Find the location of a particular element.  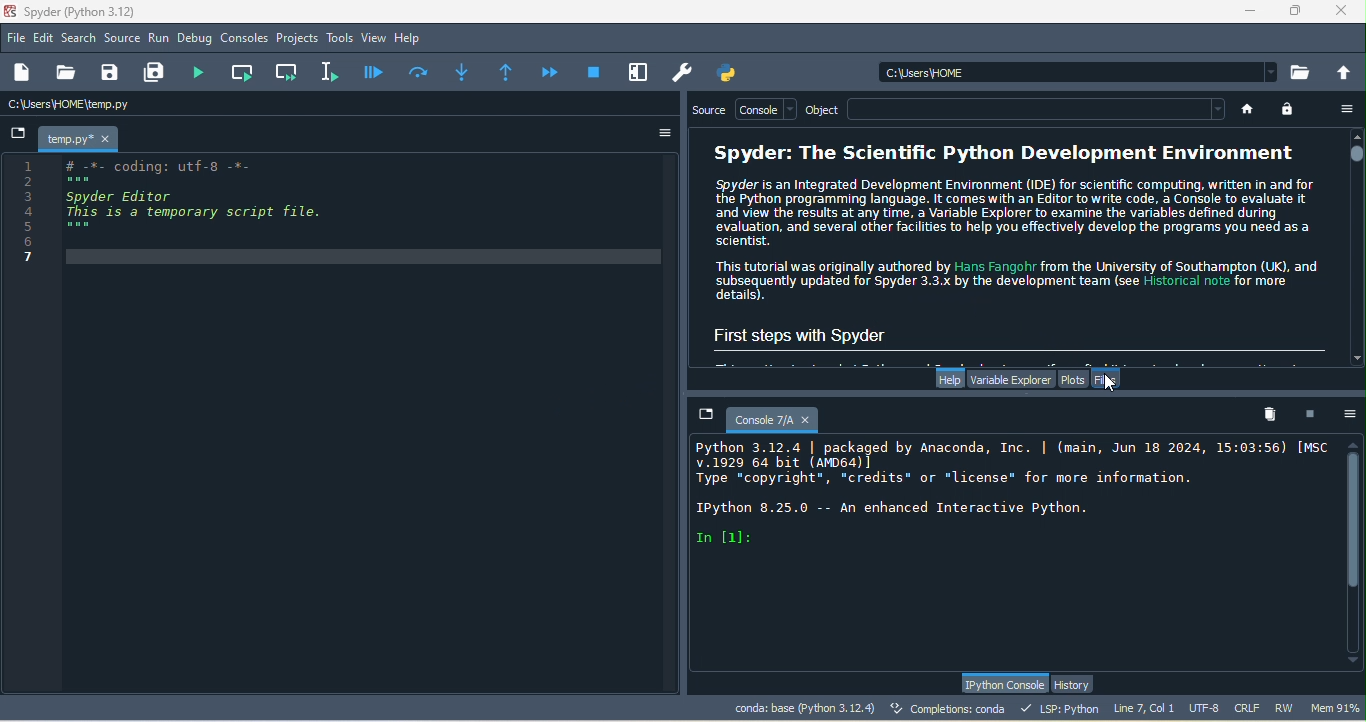

help is located at coordinates (412, 39).